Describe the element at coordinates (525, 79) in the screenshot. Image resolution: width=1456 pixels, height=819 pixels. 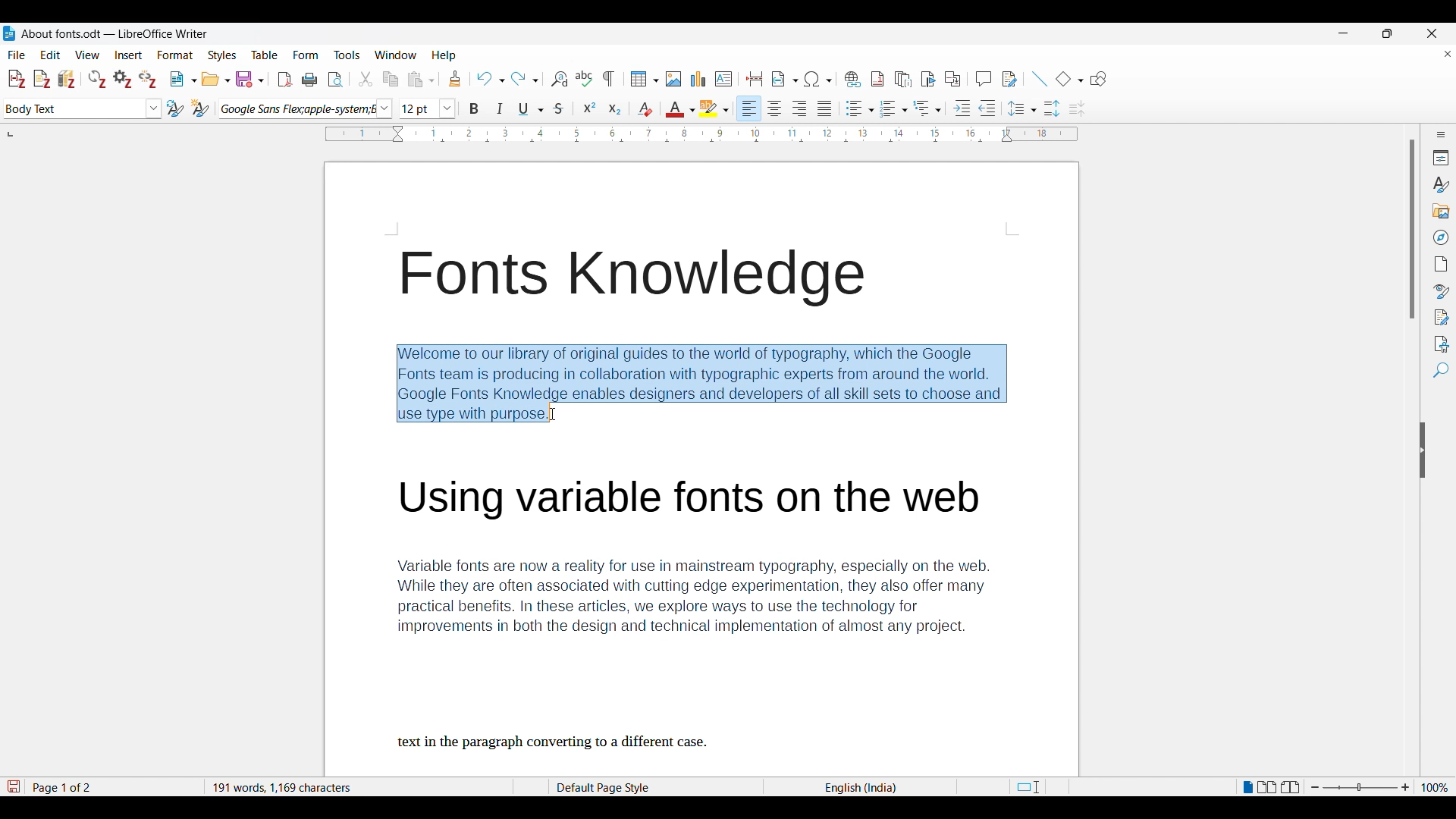
I see `Redo` at that location.